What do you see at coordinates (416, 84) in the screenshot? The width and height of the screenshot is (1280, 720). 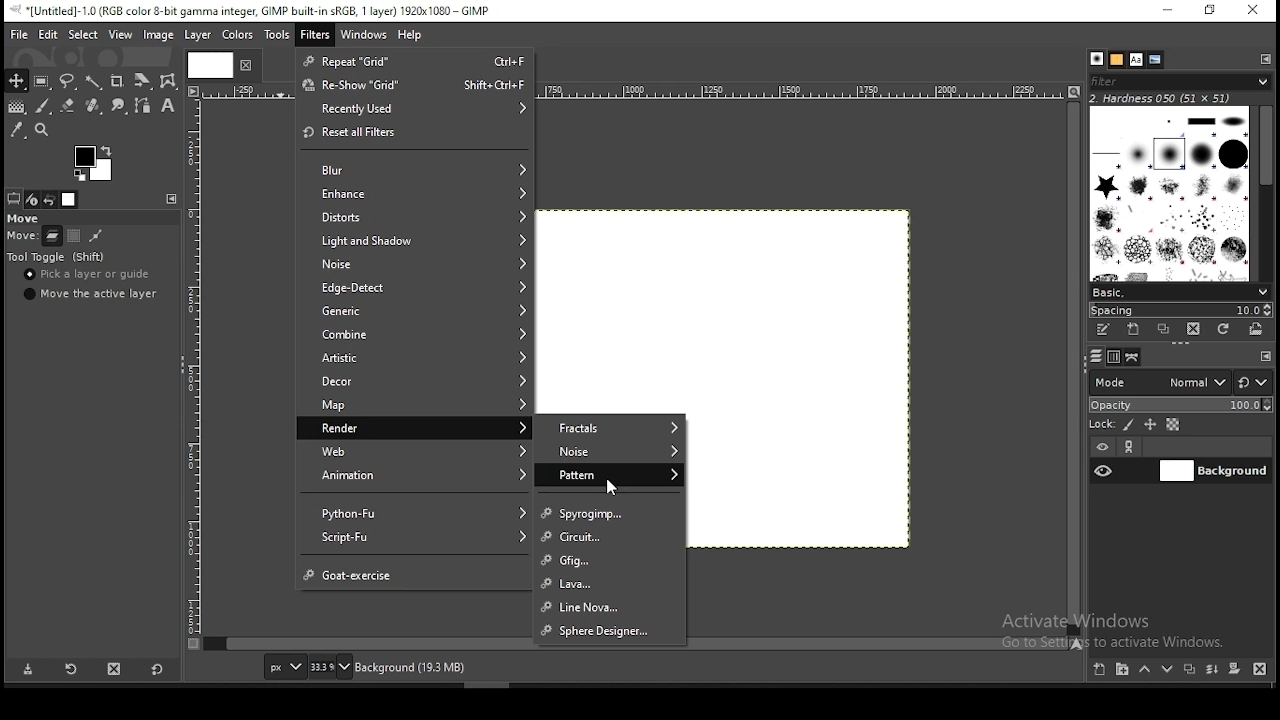 I see `reshow` at bounding box center [416, 84].